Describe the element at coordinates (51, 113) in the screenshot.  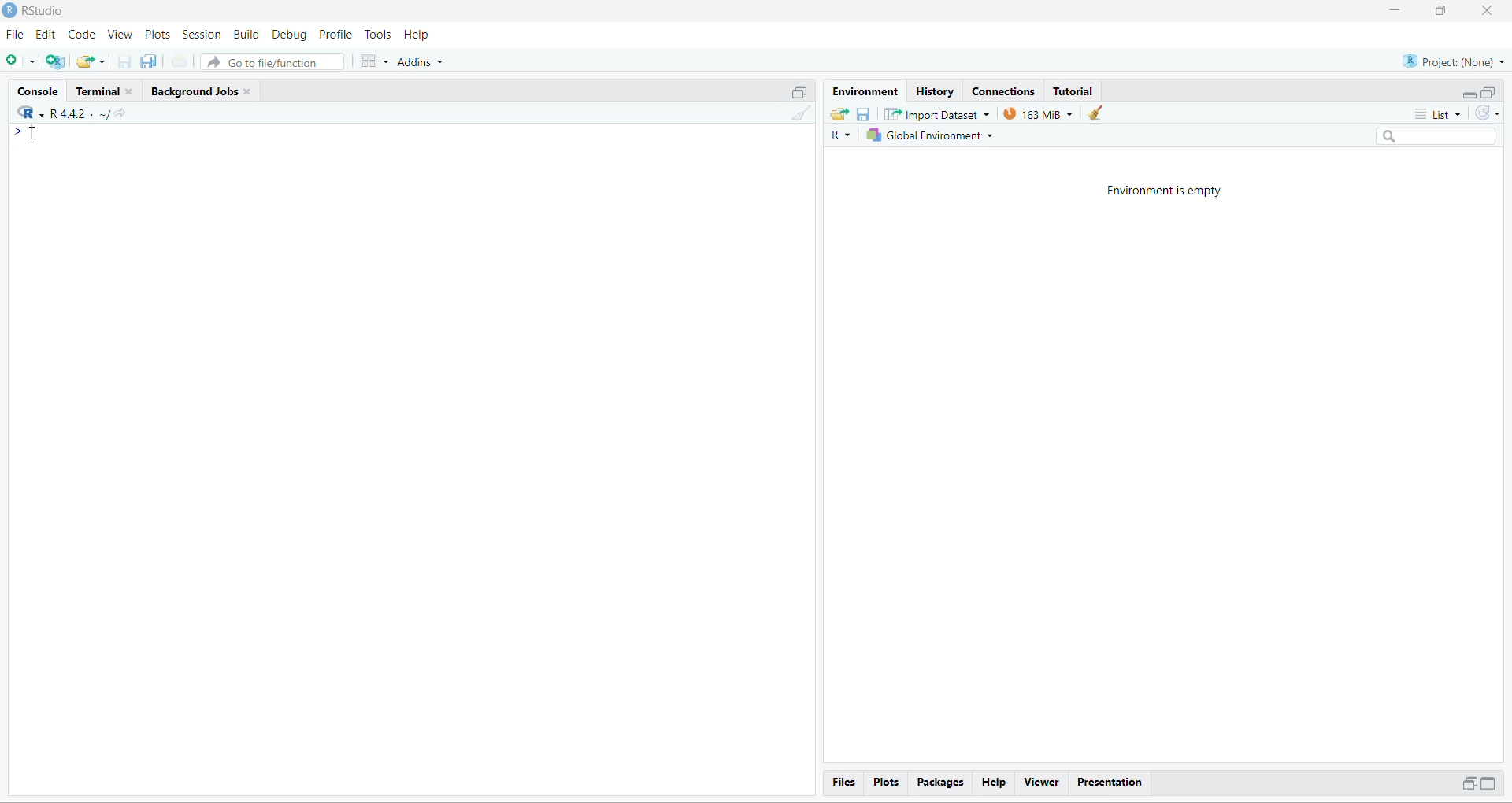
I see `"R442` at that location.